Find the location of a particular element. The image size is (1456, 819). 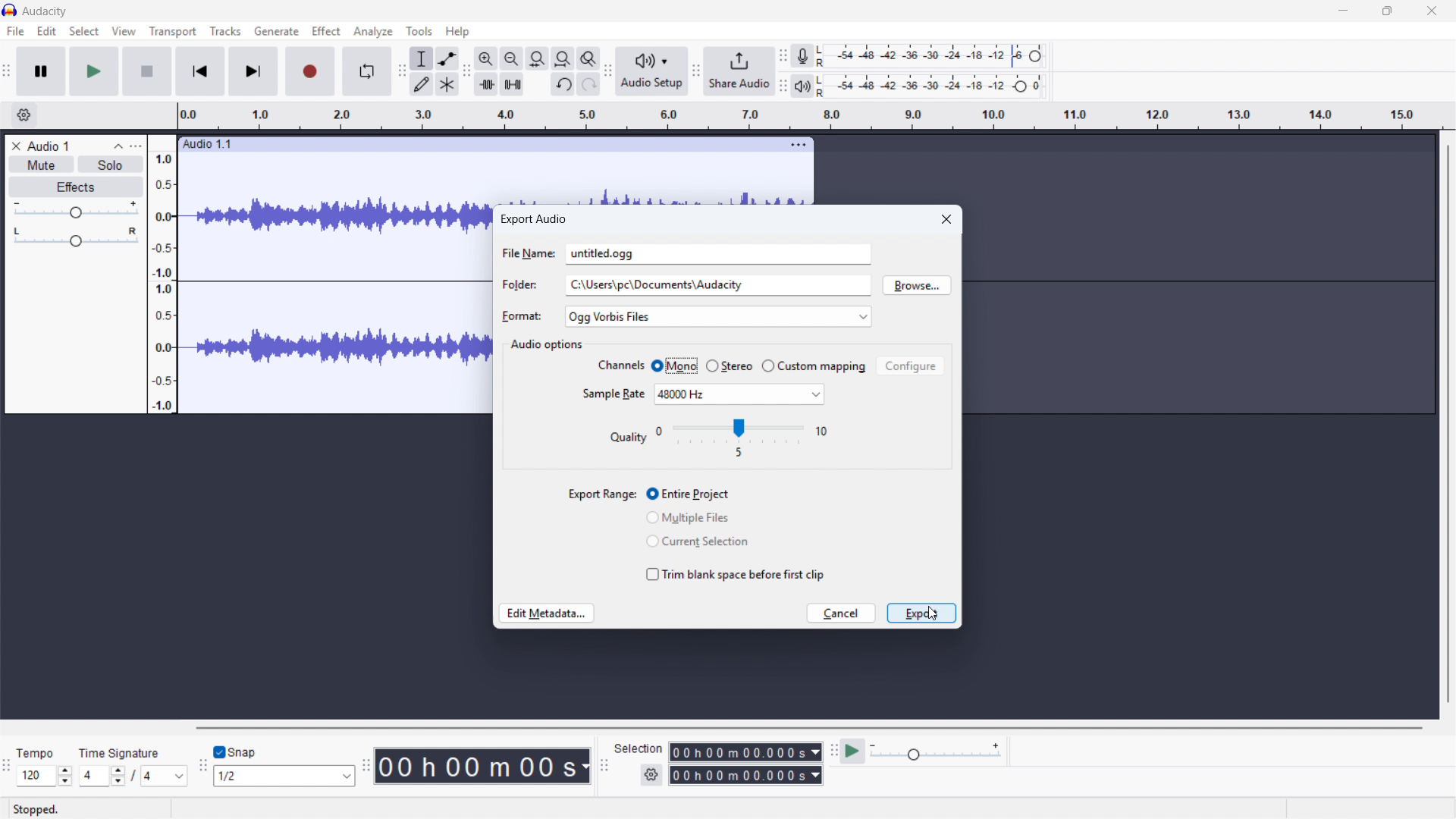

Selection tool  is located at coordinates (421, 58).